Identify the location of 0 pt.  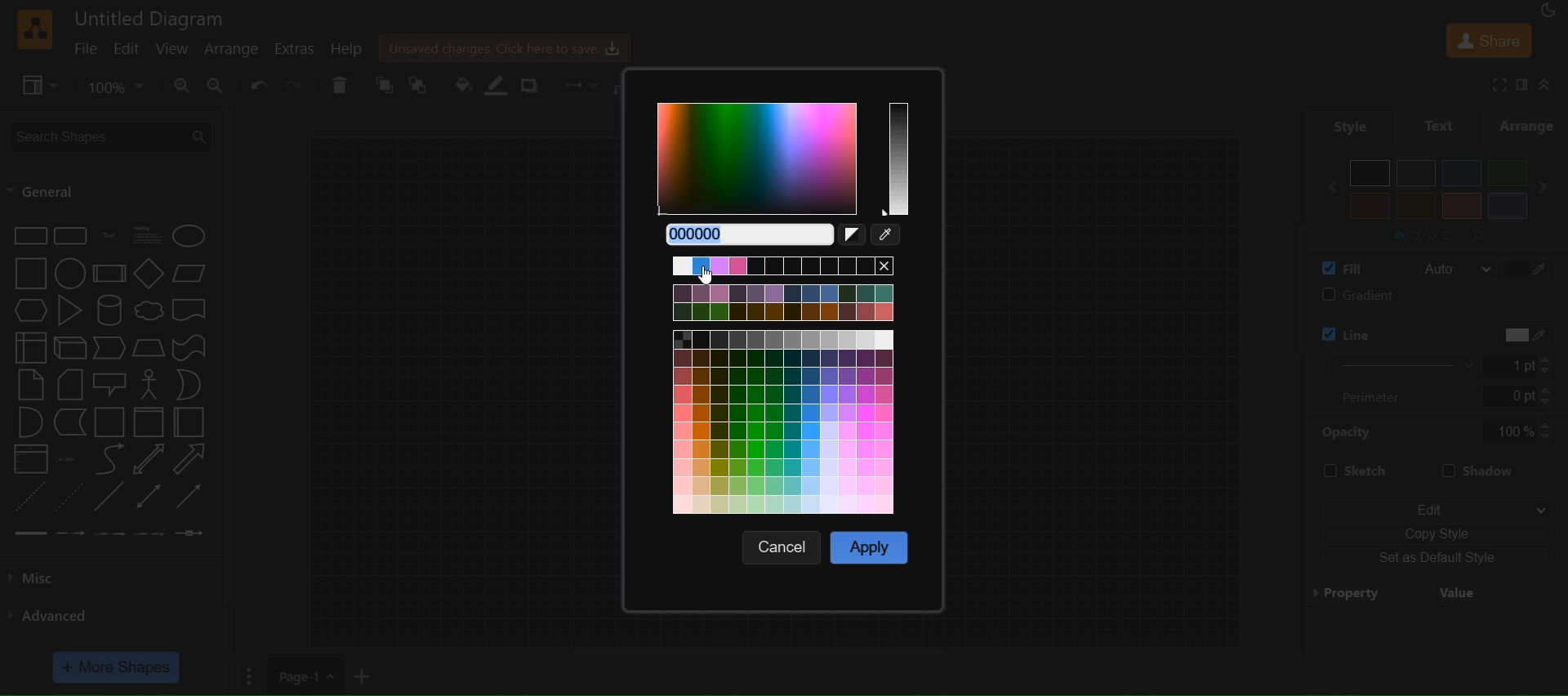
(1518, 397).